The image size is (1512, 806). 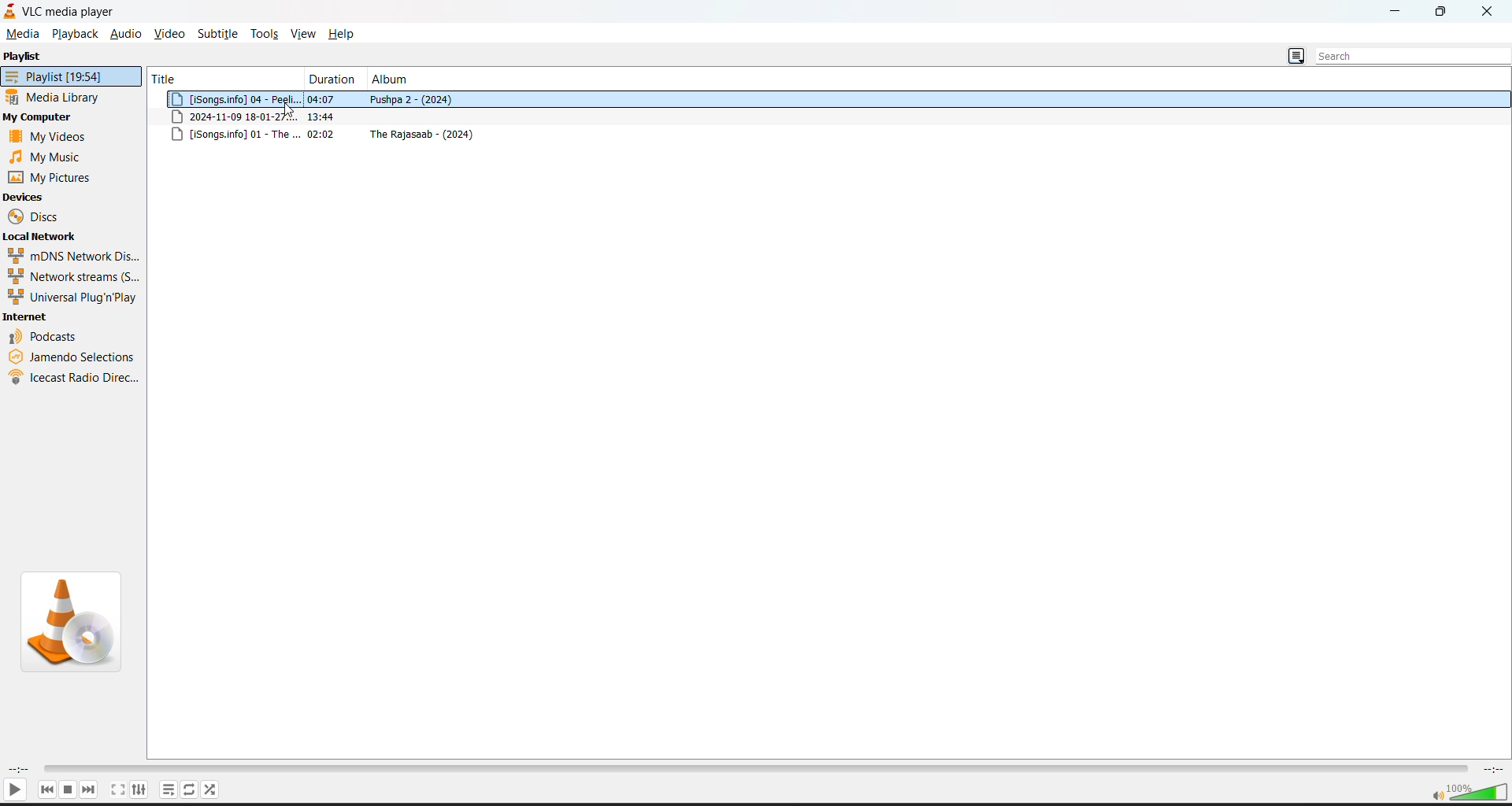 What do you see at coordinates (169, 33) in the screenshot?
I see `video` at bounding box center [169, 33].